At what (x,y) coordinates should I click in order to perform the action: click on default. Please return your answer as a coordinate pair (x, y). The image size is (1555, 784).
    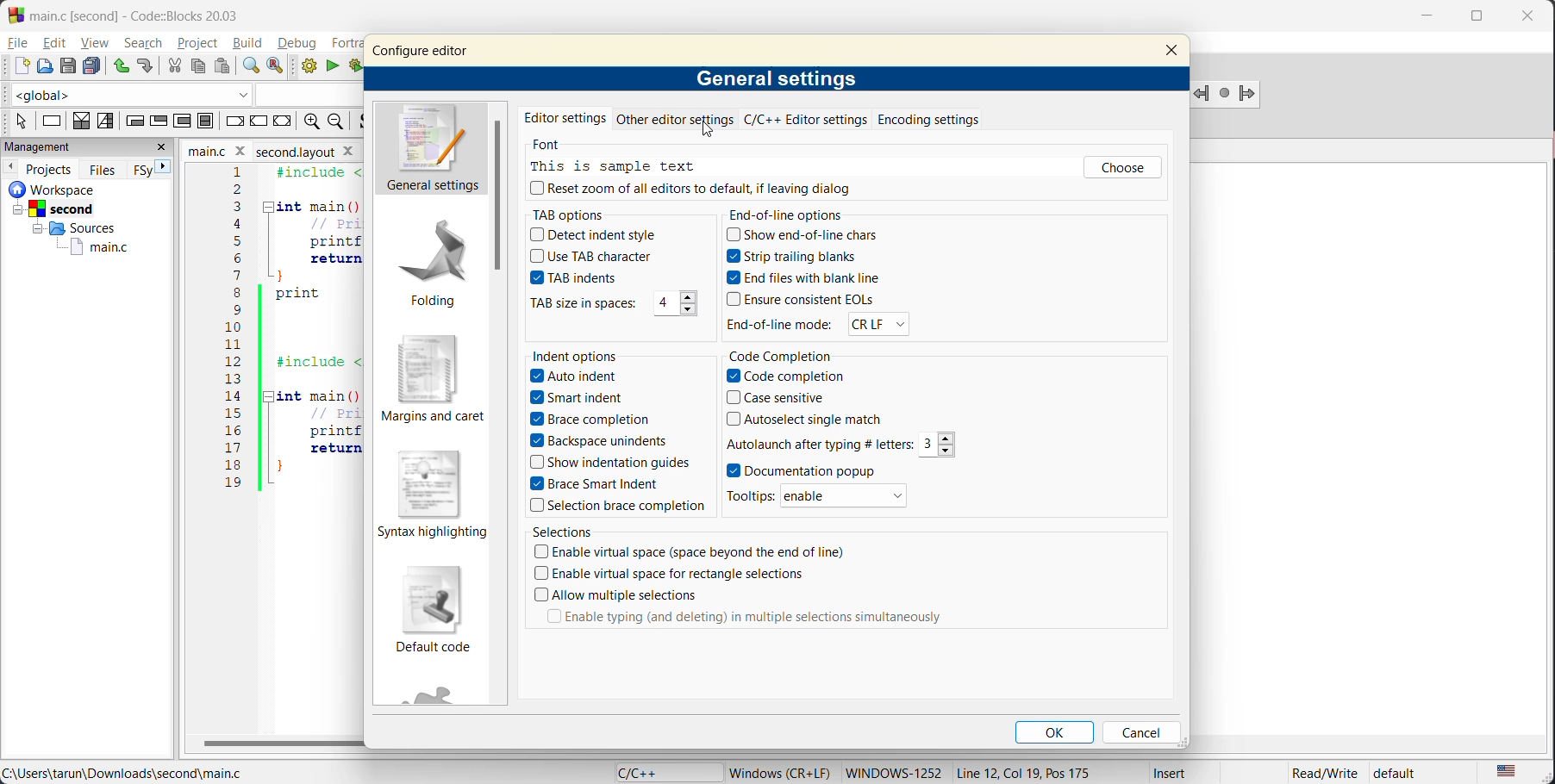
    Looking at the image, I should click on (1405, 773).